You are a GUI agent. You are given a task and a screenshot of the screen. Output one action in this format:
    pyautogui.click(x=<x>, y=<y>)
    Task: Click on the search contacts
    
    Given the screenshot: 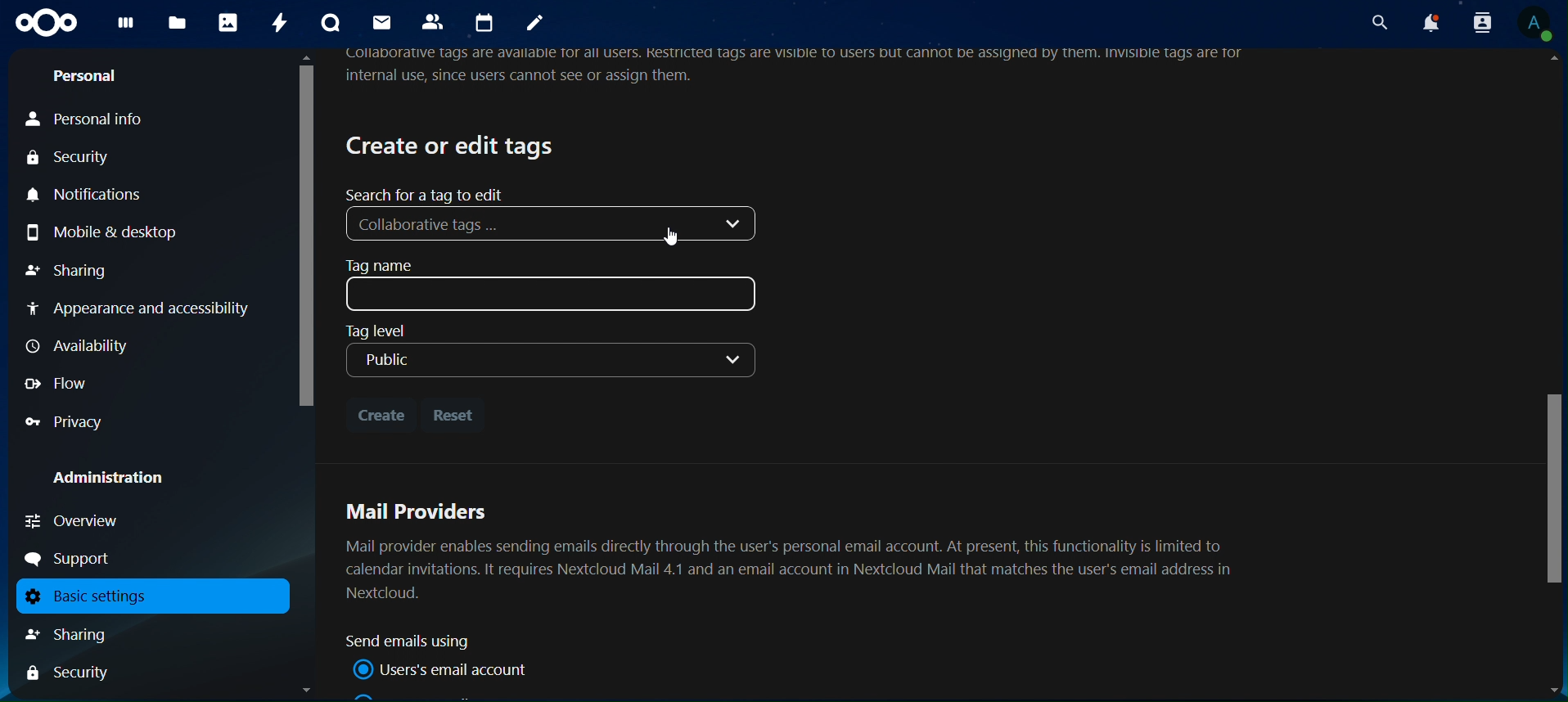 What is the action you would take?
    pyautogui.click(x=1476, y=22)
    